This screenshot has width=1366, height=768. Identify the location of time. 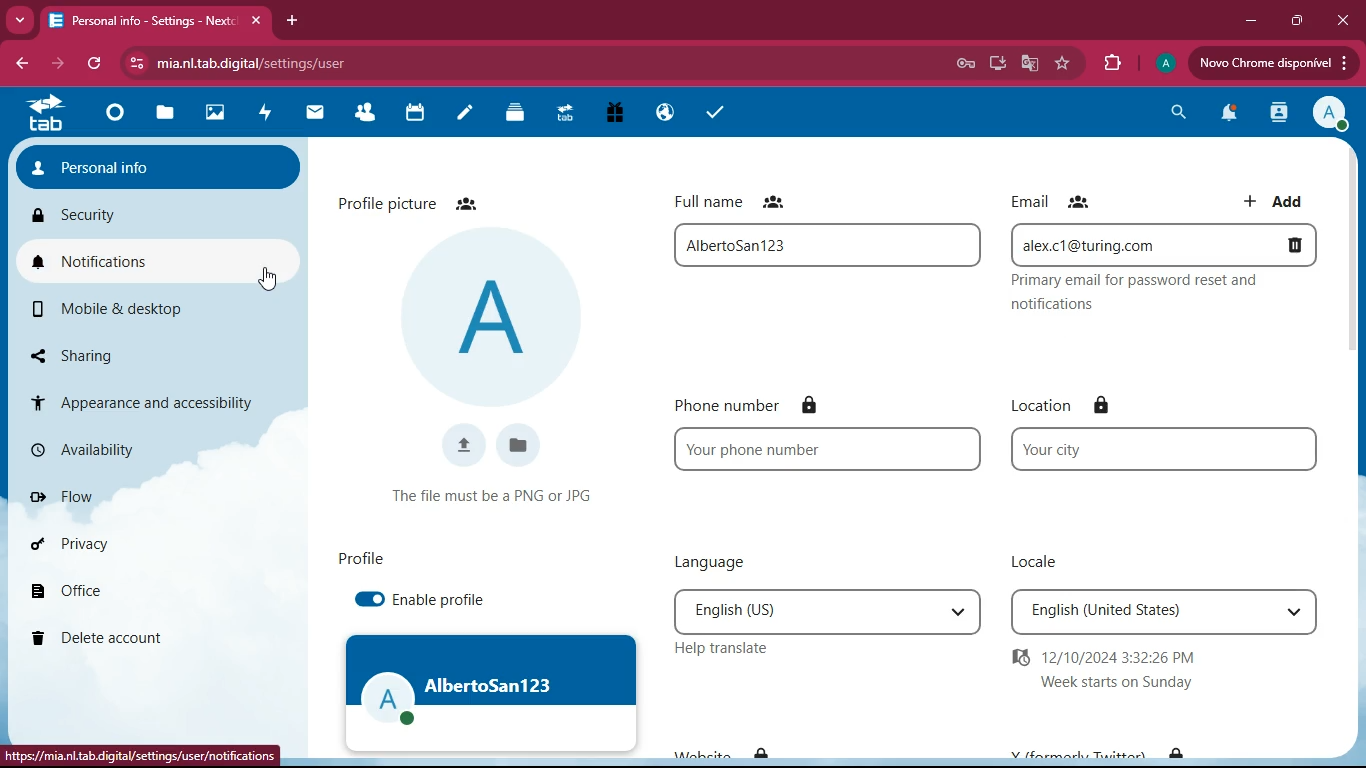
(1124, 669).